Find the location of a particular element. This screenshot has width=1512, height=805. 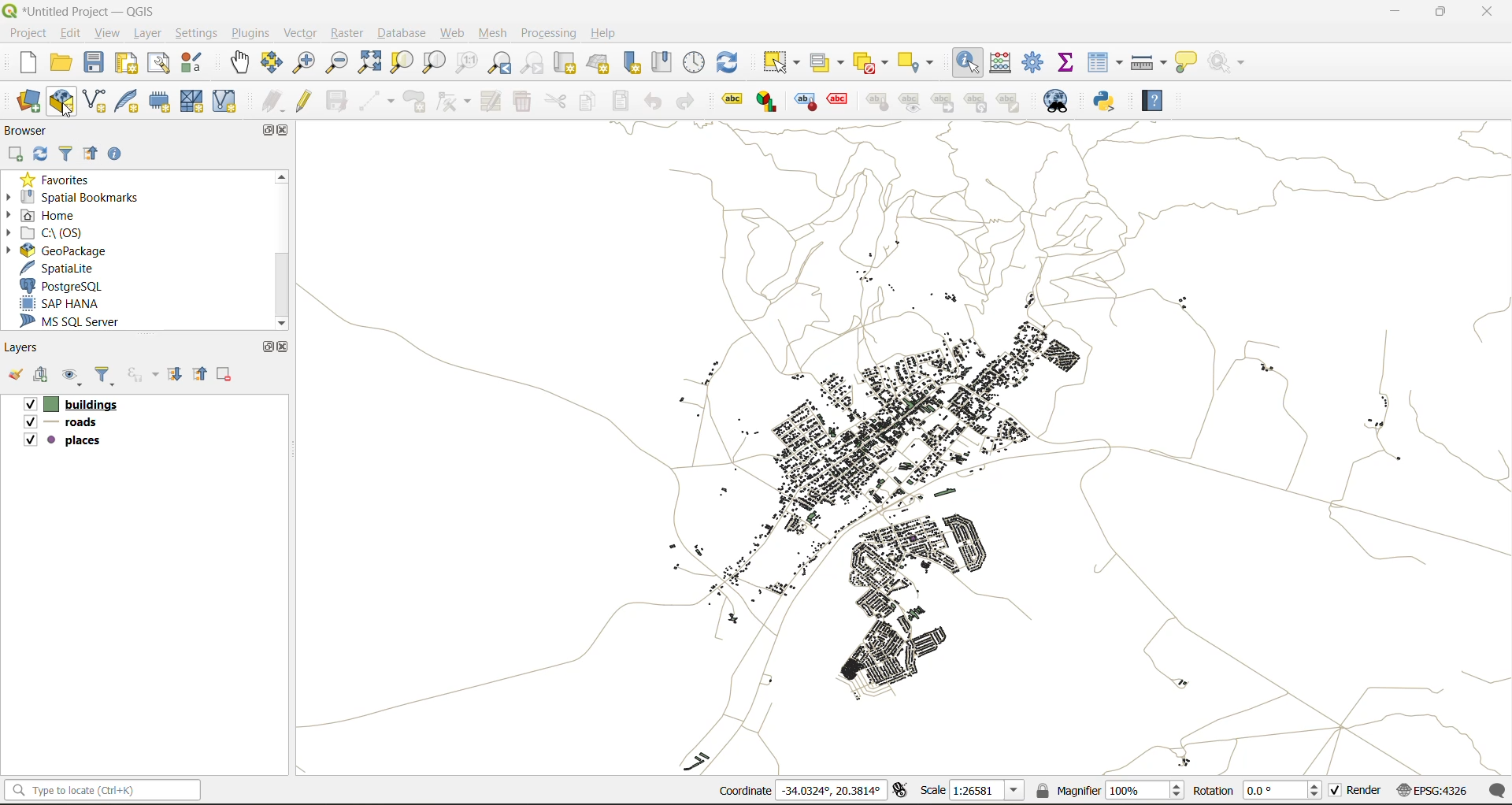

zoom in is located at coordinates (302, 61).